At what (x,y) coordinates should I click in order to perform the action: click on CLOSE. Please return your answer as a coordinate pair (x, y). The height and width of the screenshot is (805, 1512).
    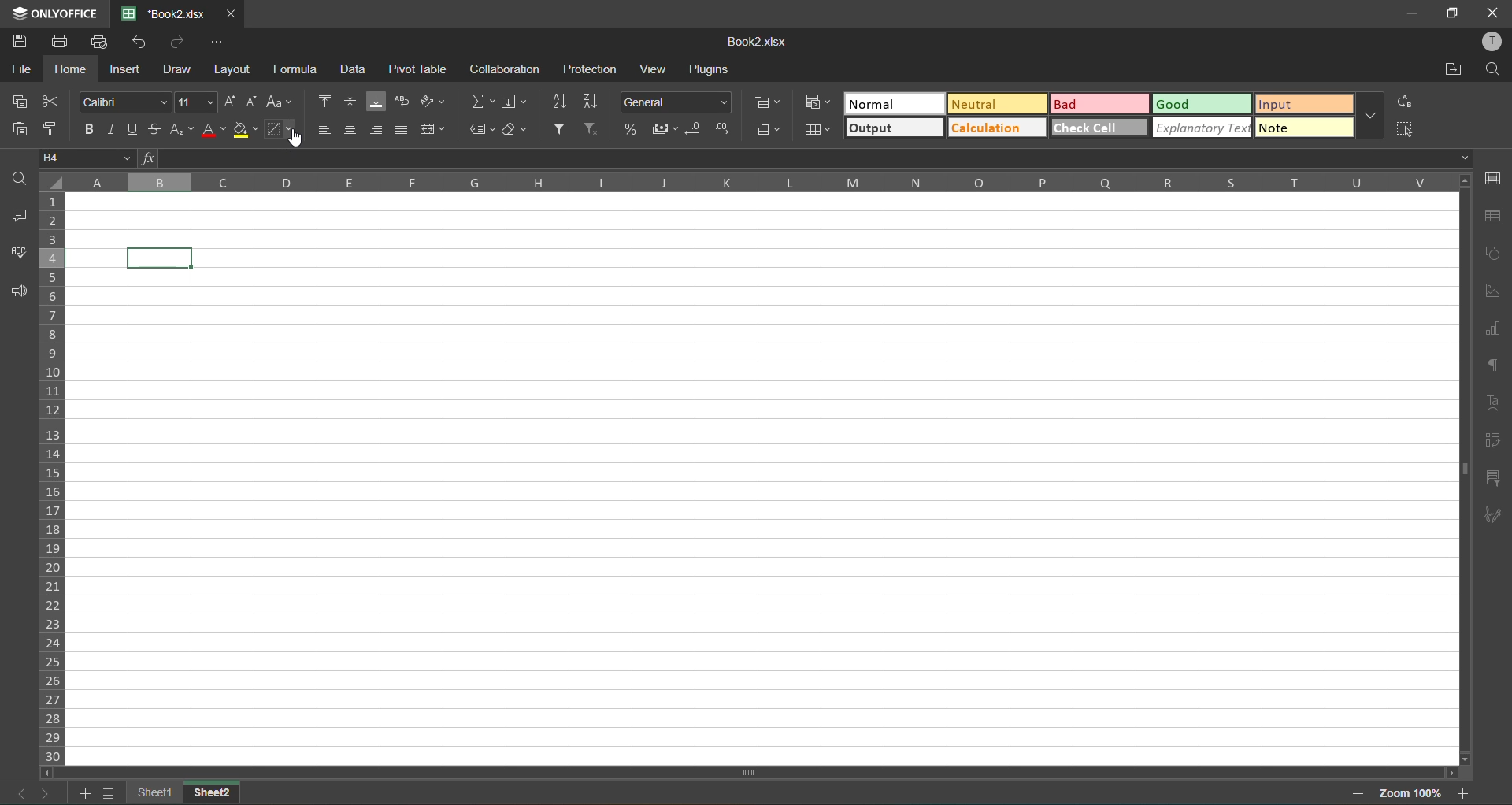
    Looking at the image, I should click on (1491, 14).